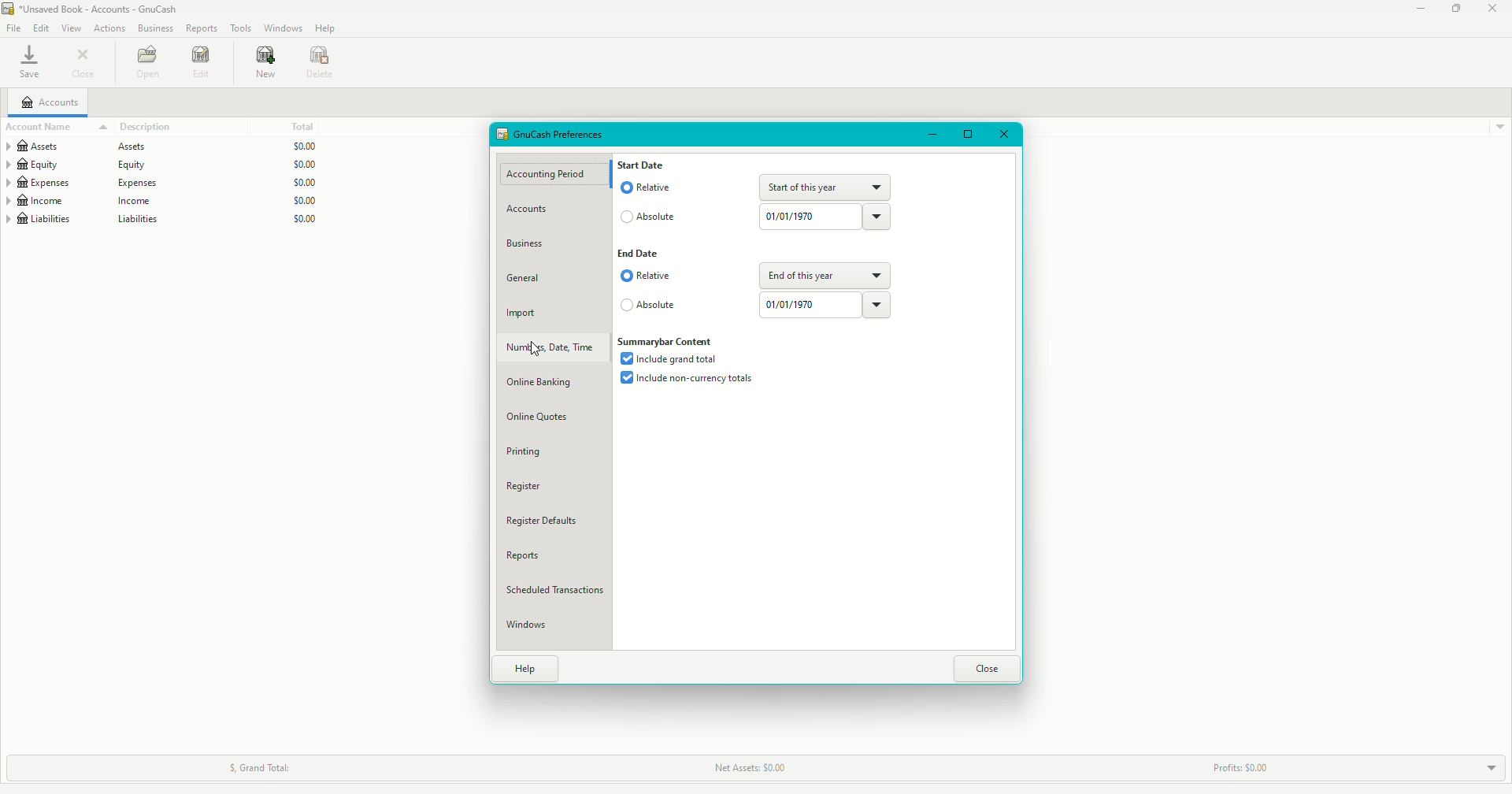  What do you see at coordinates (553, 173) in the screenshot?
I see `Accounting Period` at bounding box center [553, 173].